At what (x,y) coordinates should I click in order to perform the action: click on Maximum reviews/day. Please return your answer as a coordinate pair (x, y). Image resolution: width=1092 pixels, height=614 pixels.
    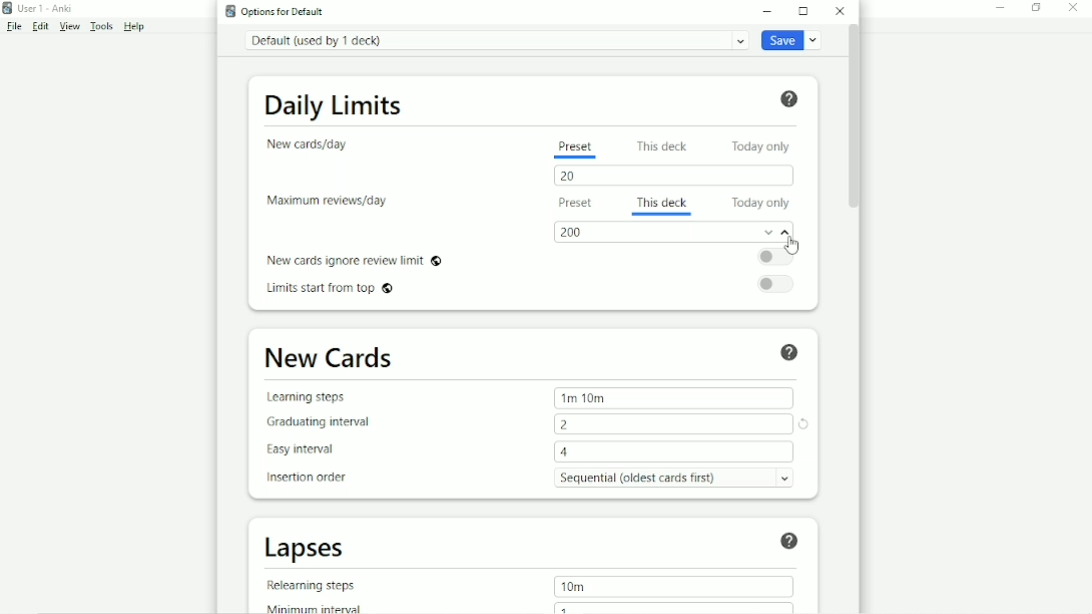
    Looking at the image, I should click on (327, 201).